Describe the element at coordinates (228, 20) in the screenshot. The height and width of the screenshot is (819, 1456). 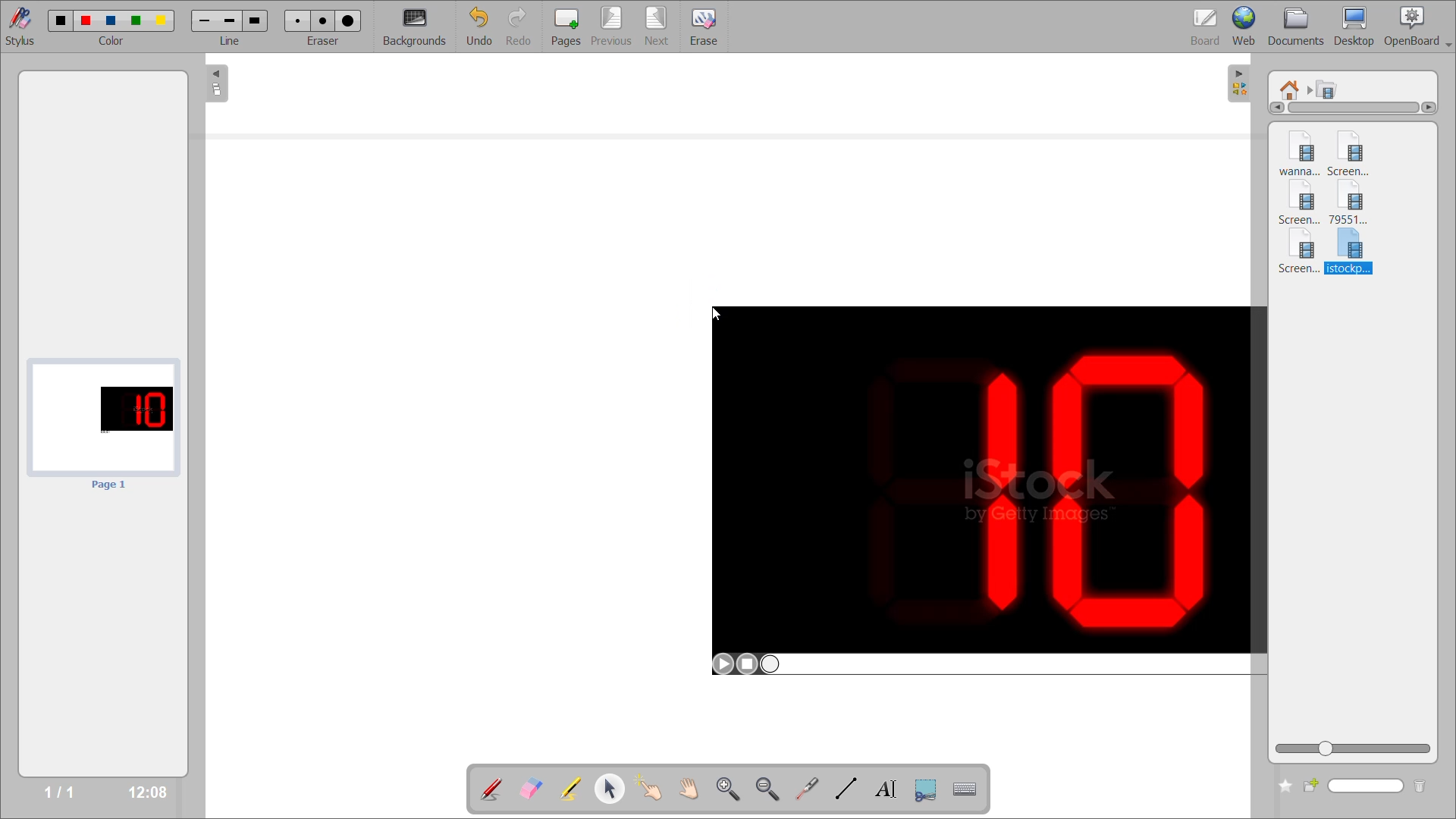
I see `Meduim line` at that location.